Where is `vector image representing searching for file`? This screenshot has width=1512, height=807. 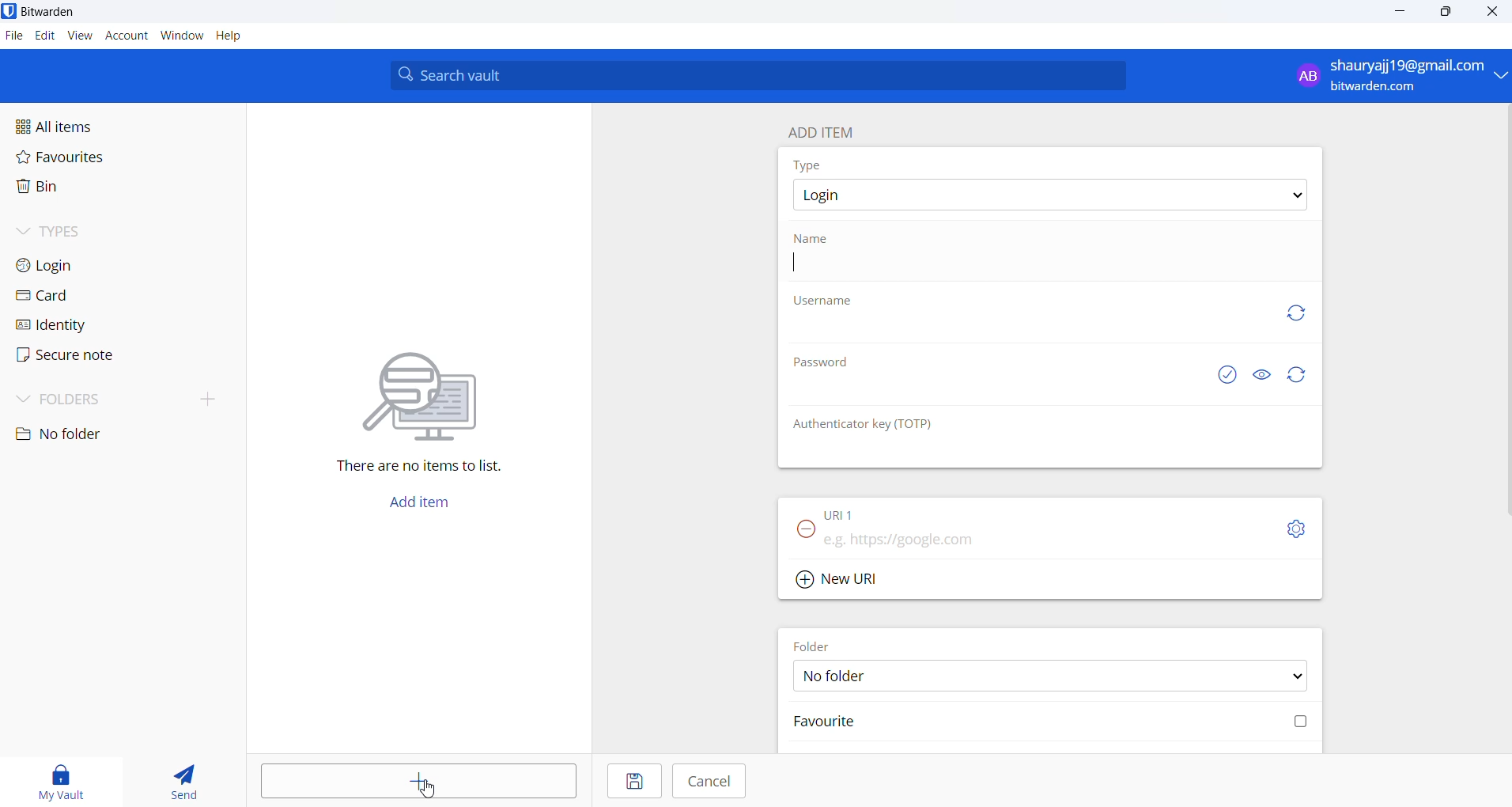
vector image representing searching for file is located at coordinates (430, 385).